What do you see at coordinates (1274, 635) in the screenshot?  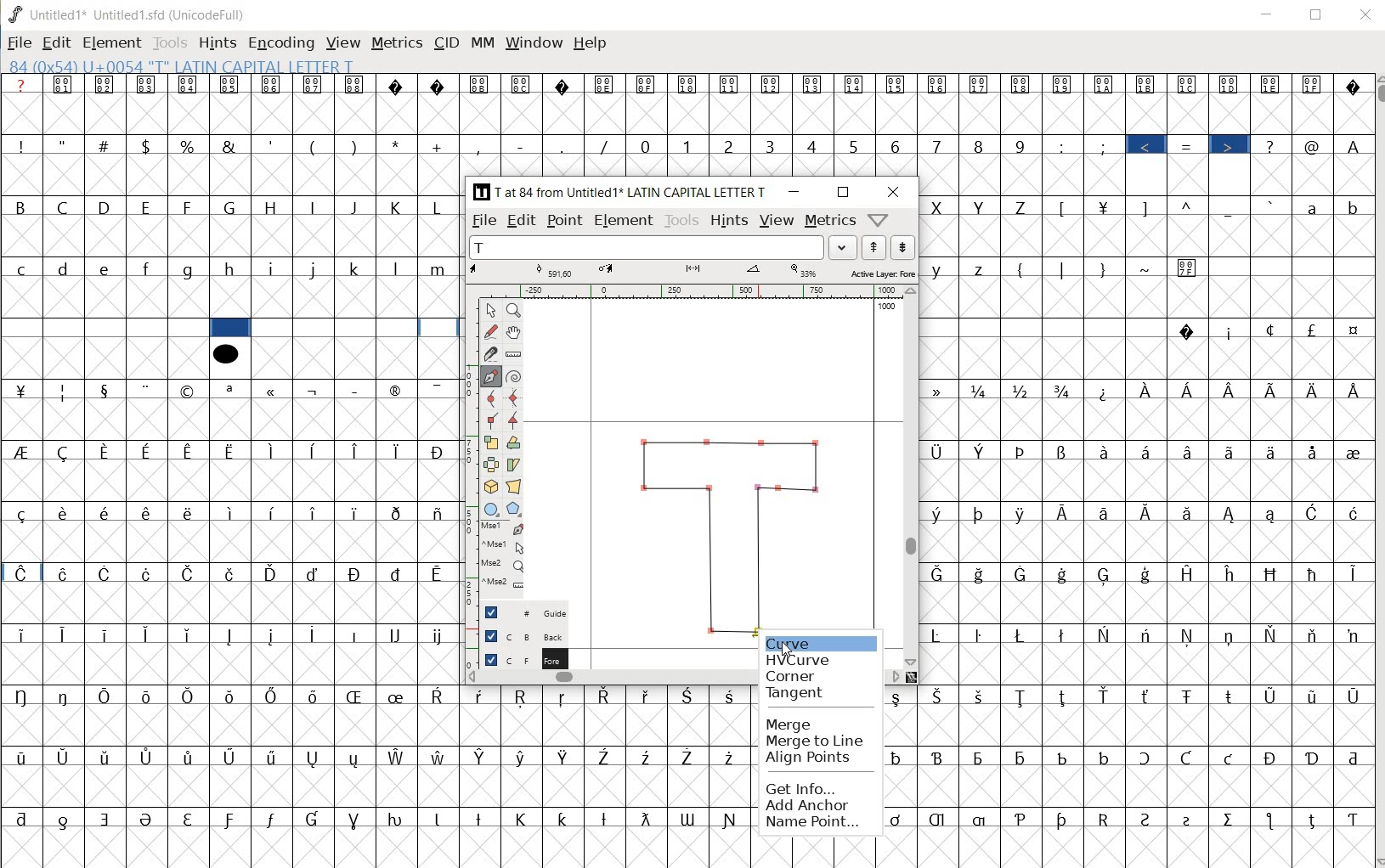 I see `Symbol` at bounding box center [1274, 635].